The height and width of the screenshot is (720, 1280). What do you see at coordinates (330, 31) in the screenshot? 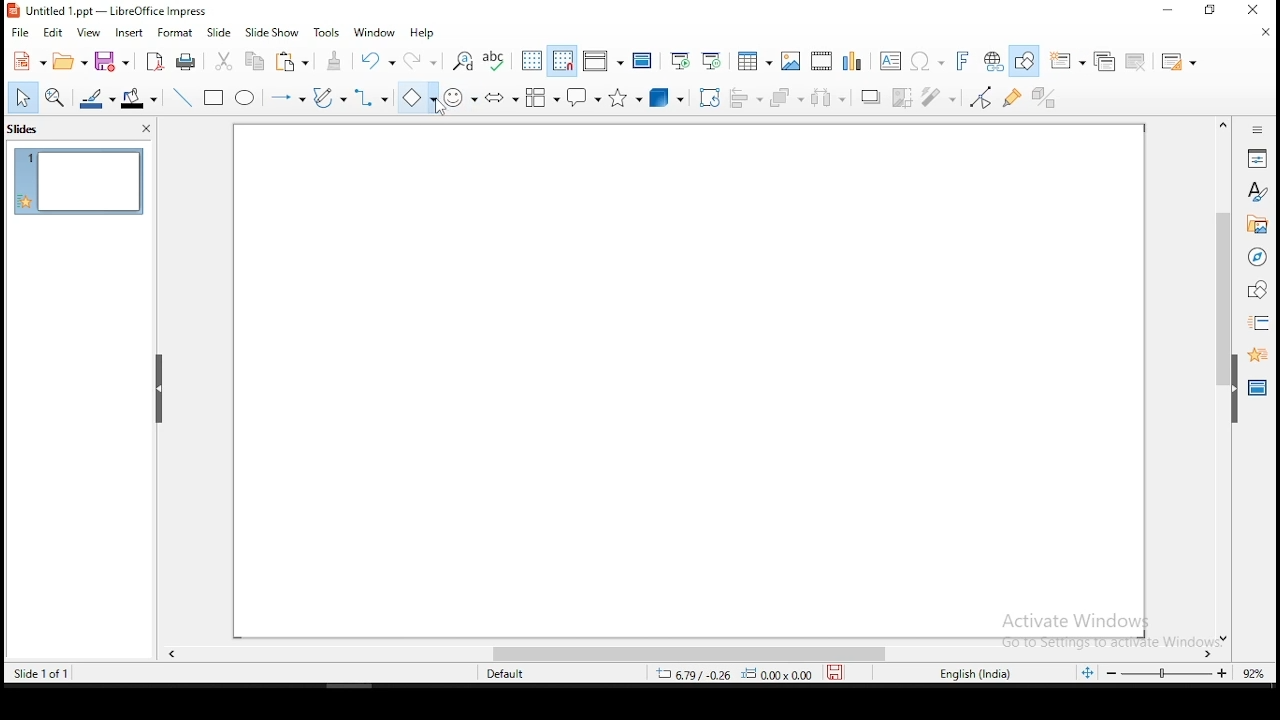
I see `tools` at bounding box center [330, 31].